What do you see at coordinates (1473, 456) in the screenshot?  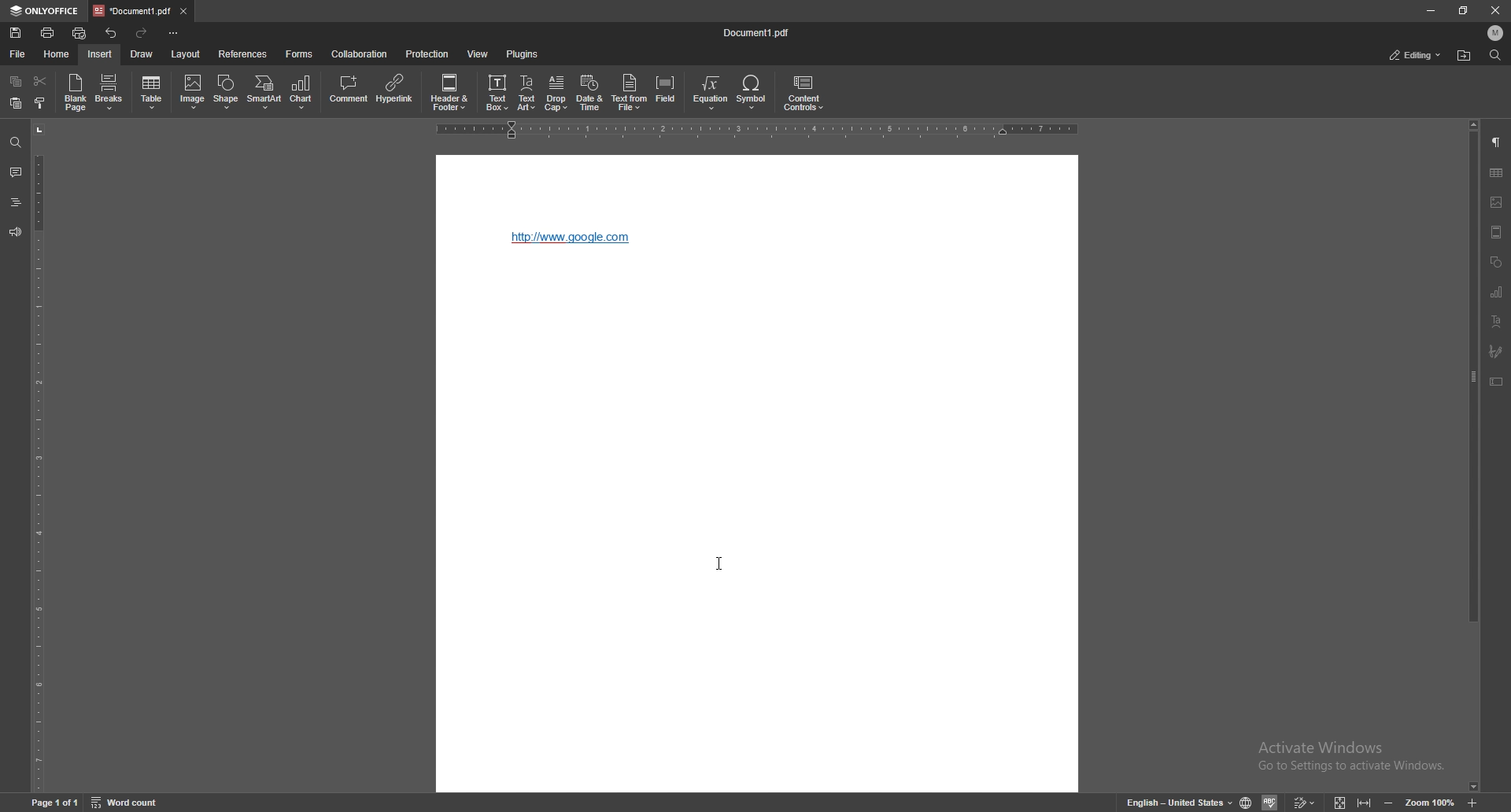 I see `scroll bar` at bounding box center [1473, 456].